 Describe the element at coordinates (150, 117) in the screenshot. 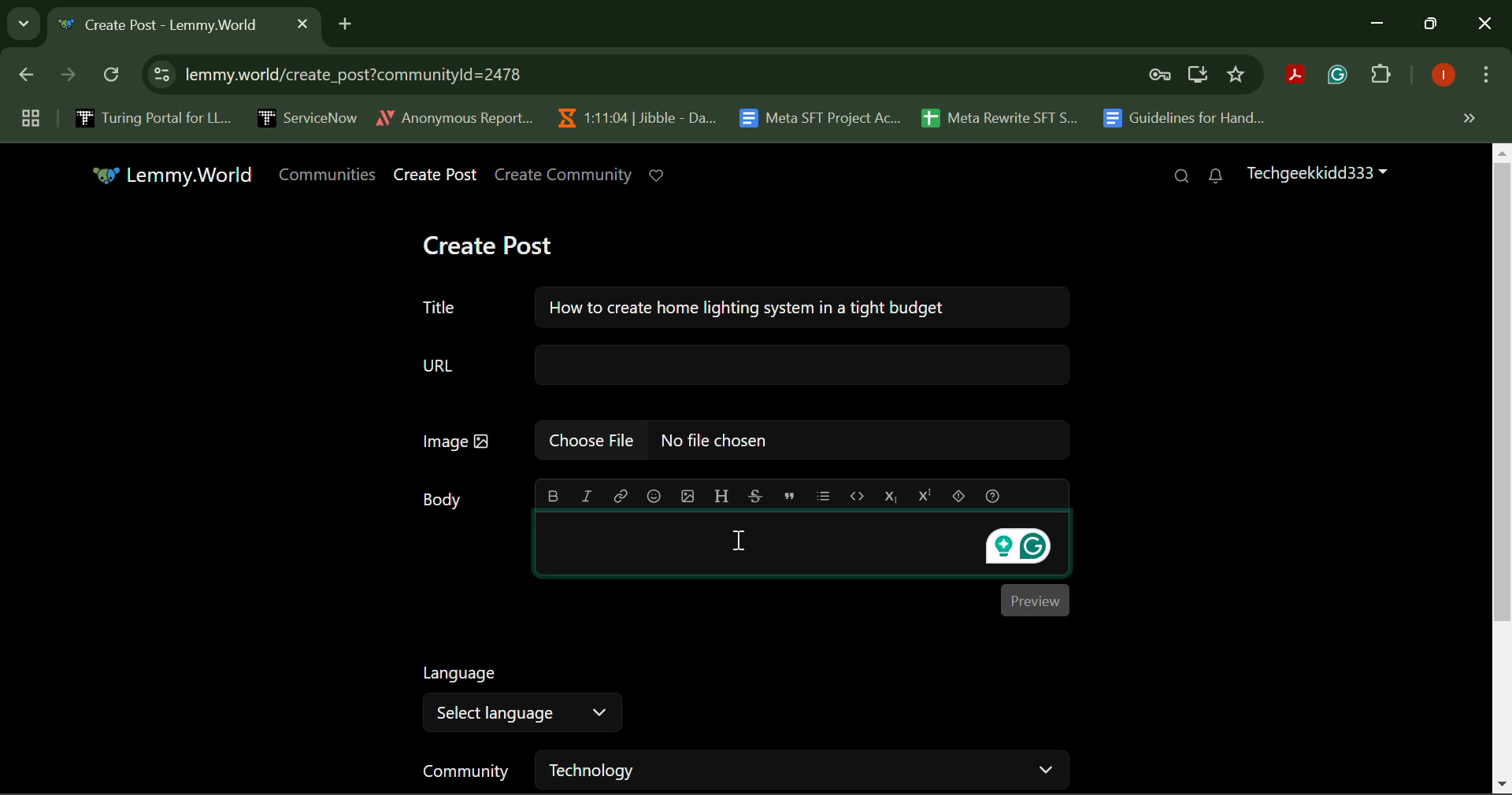

I see `Turing Portal for LLM` at that location.